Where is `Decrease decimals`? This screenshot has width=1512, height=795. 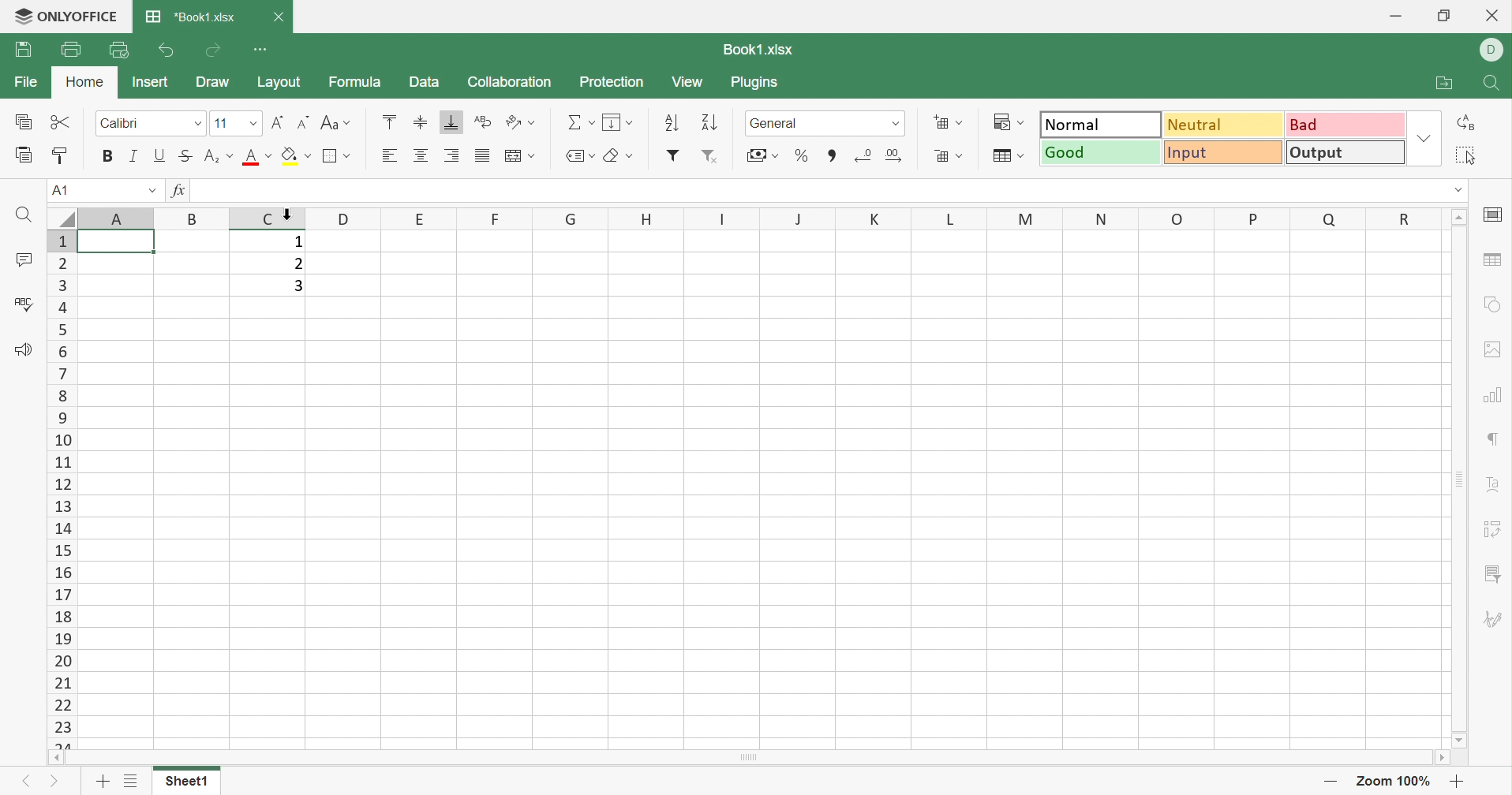 Decrease decimals is located at coordinates (864, 155).